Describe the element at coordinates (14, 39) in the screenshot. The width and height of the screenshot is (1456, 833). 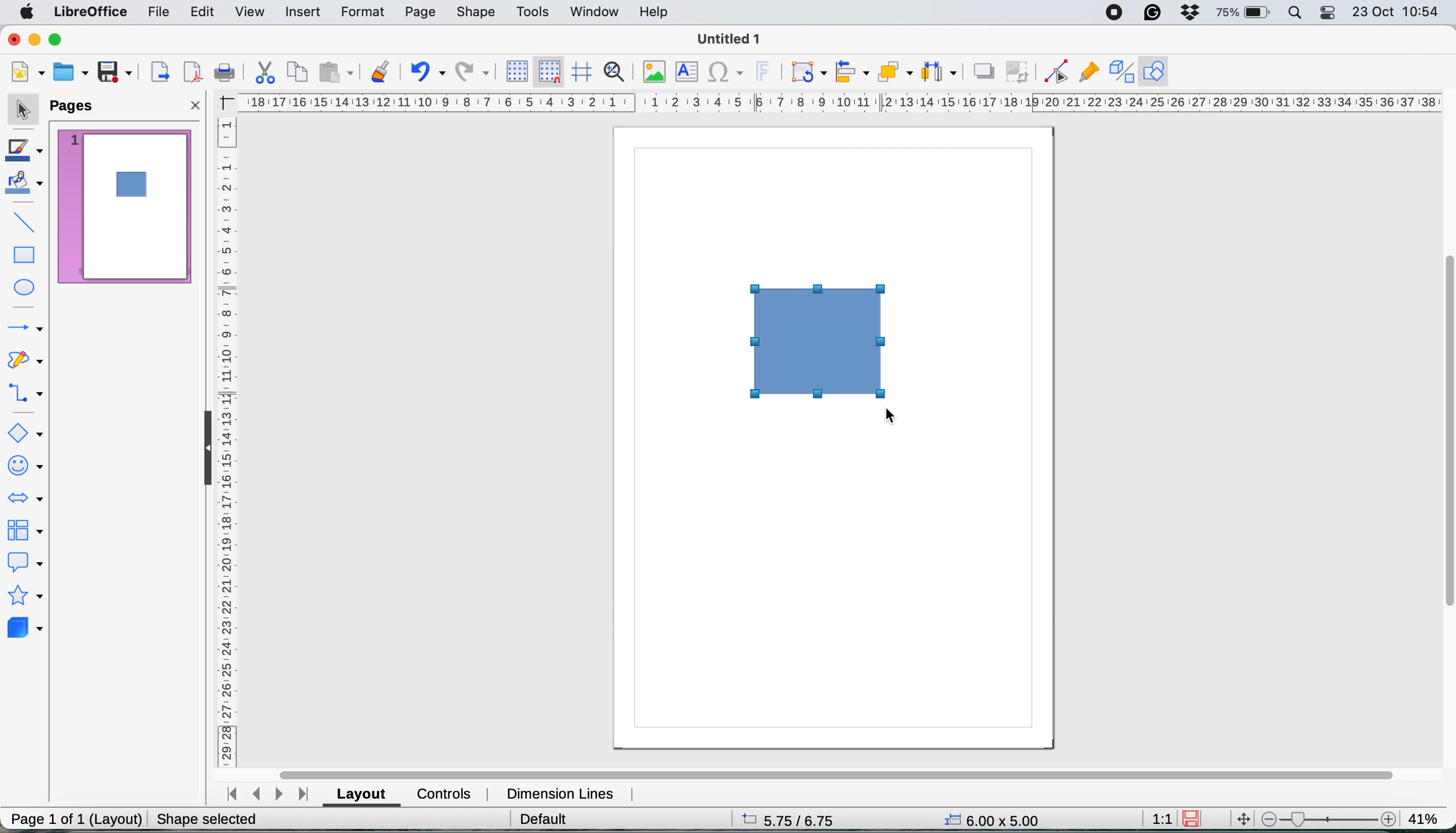
I see `close` at that location.